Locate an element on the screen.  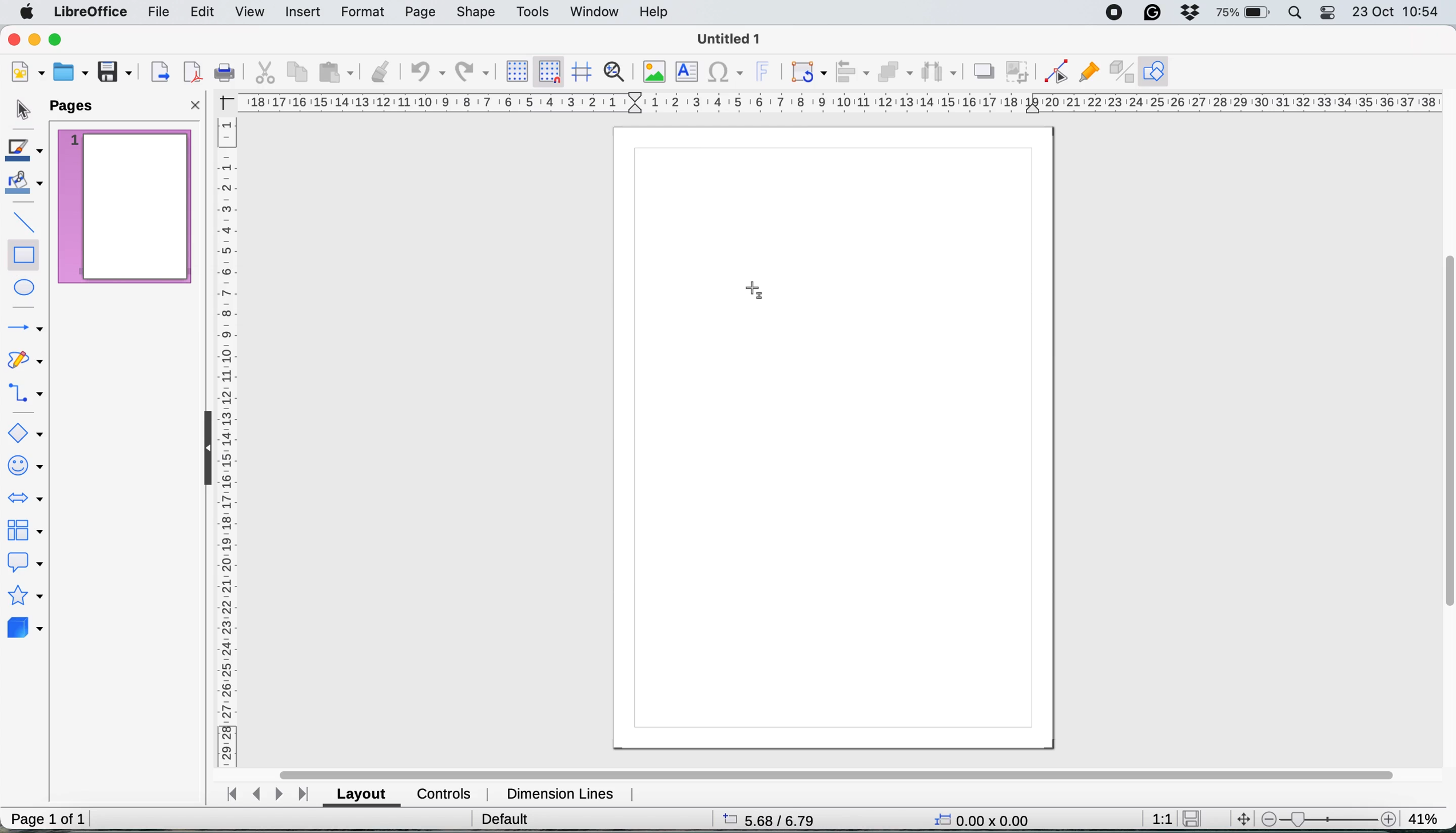
format is located at coordinates (361, 10).